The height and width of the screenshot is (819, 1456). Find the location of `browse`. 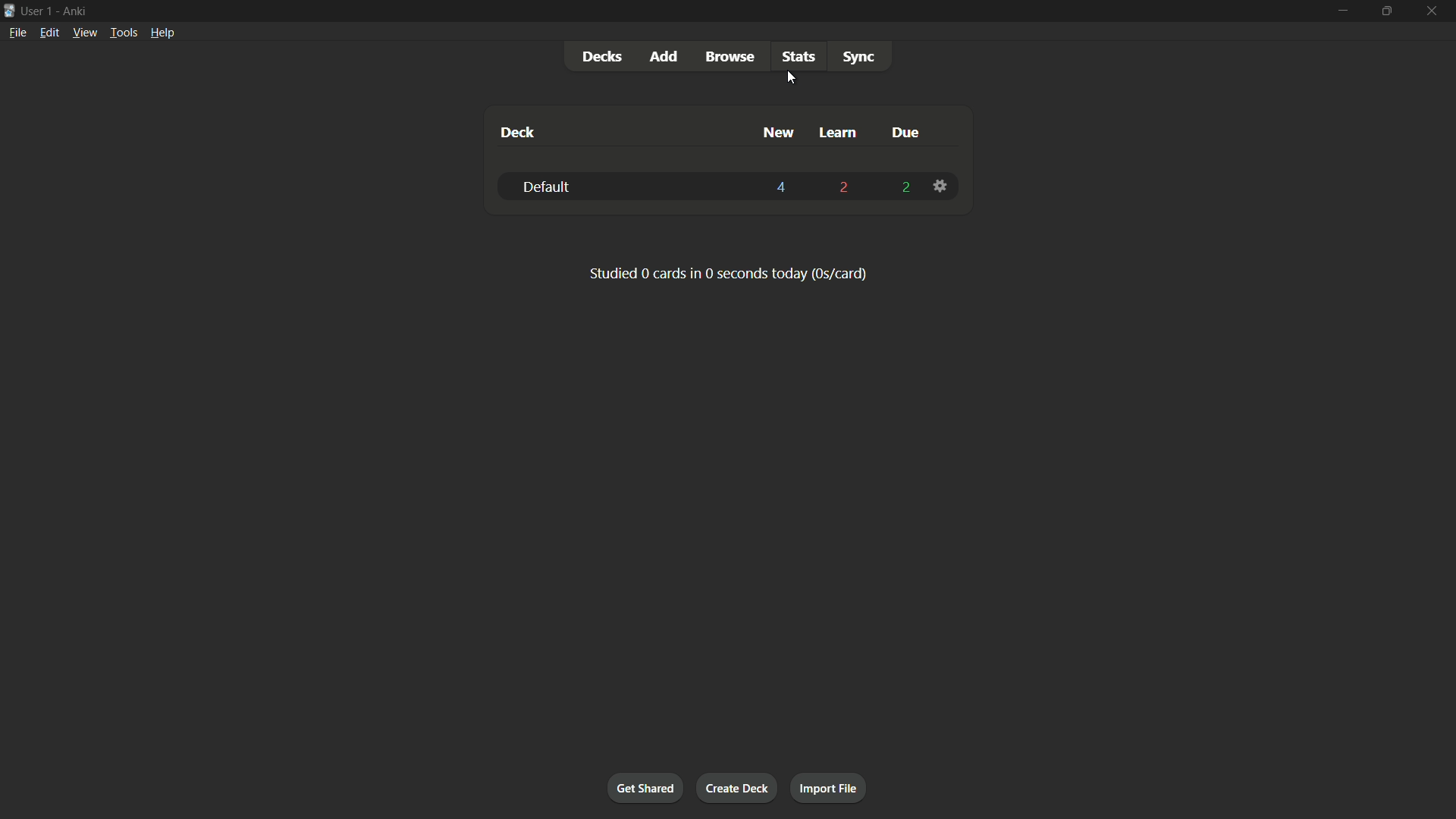

browse is located at coordinates (729, 58).